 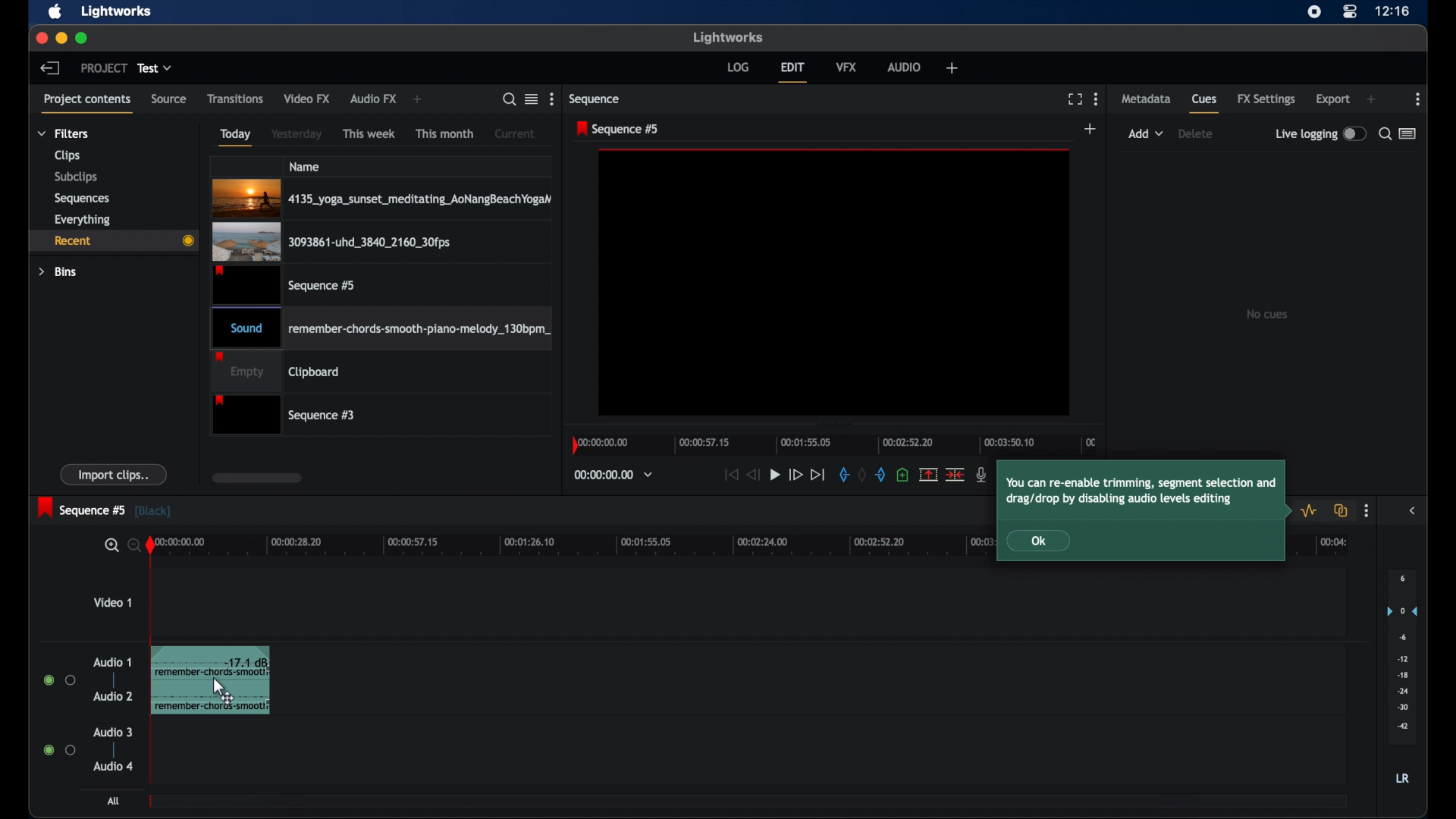 What do you see at coordinates (113, 662) in the screenshot?
I see `audio 1` at bounding box center [113, 662].